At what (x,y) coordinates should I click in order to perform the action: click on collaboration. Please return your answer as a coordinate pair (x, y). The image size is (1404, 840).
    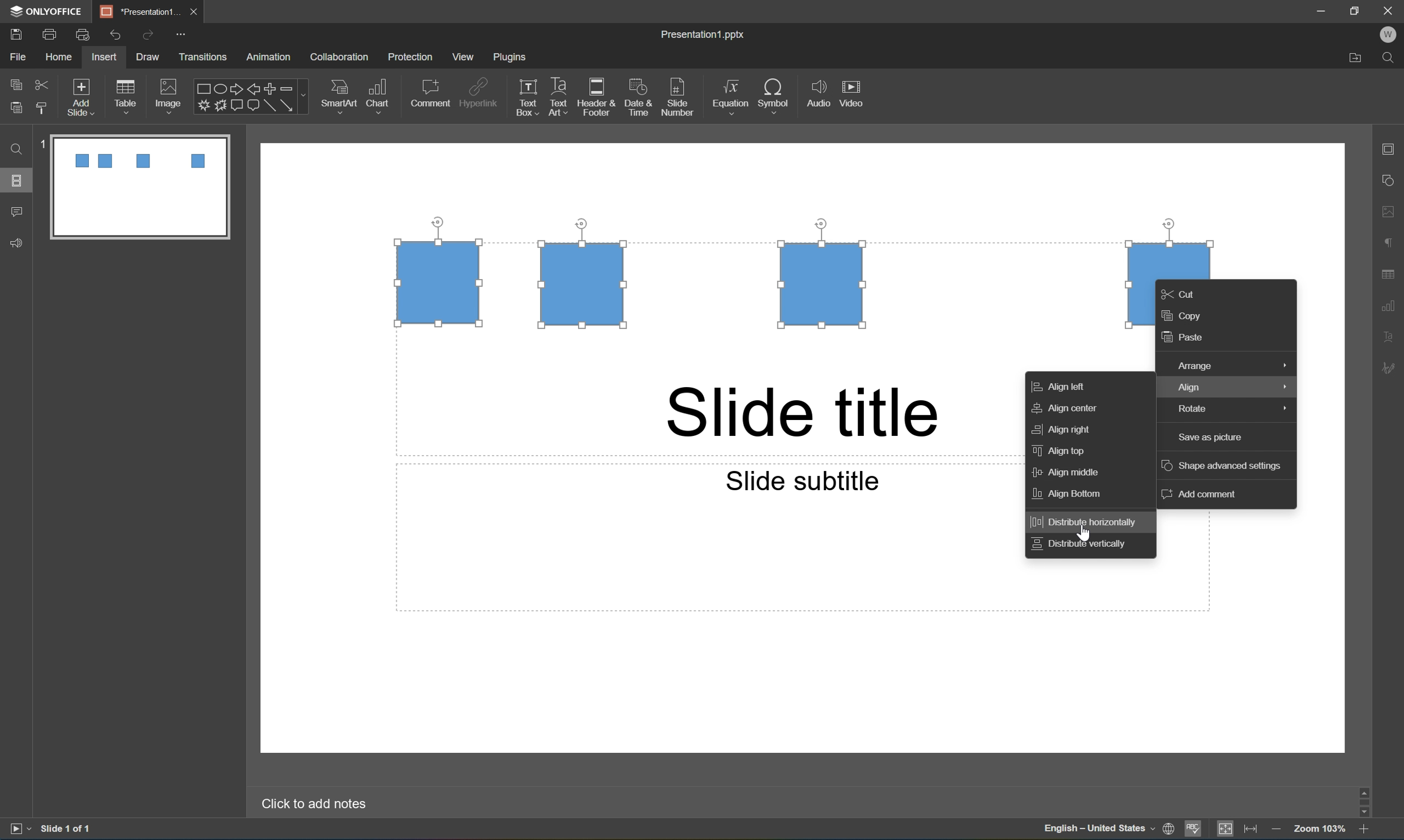
    Looking at the image, I should click on (341, 57).